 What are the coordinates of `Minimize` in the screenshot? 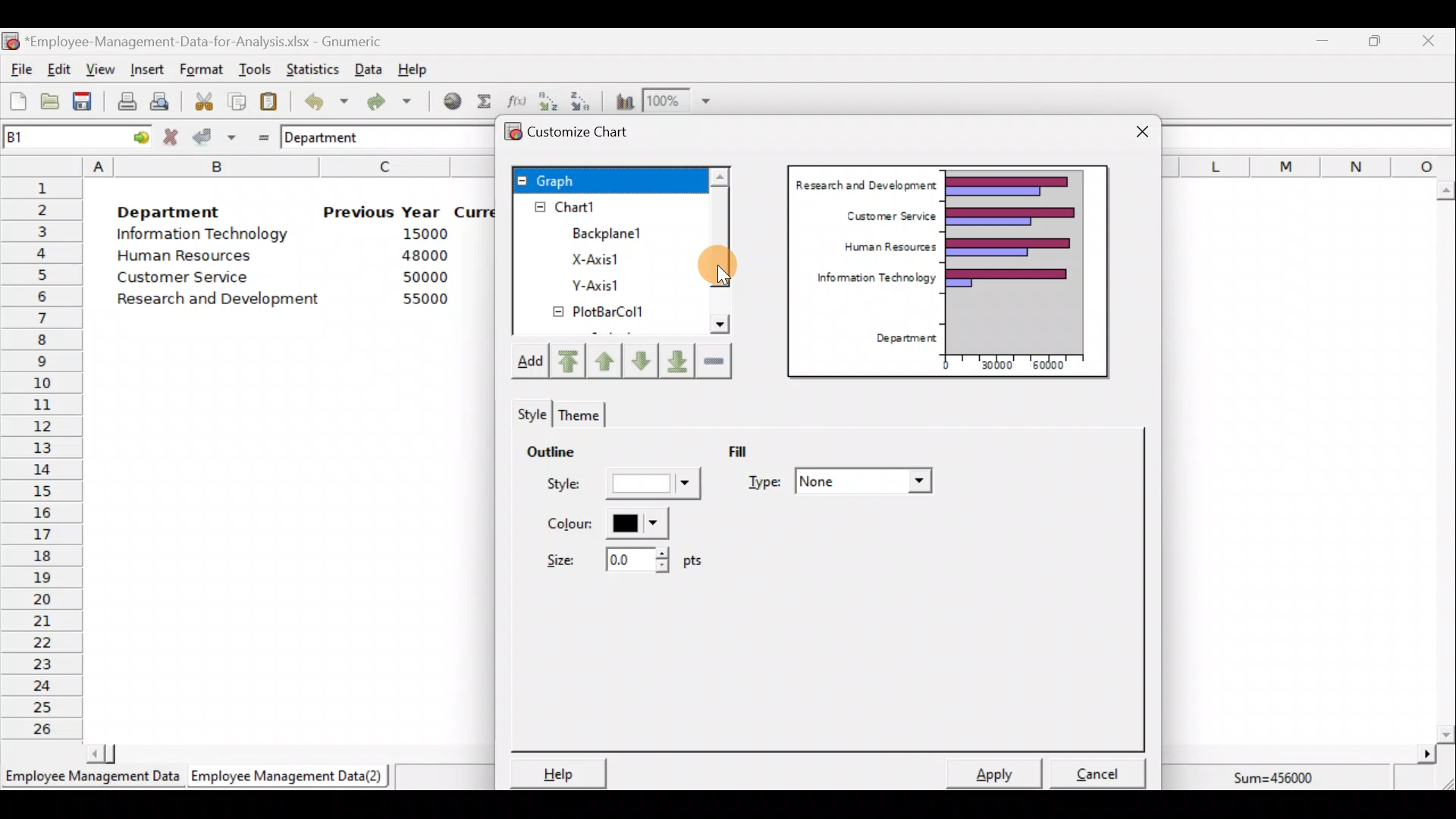 It's located at (1319, 44).